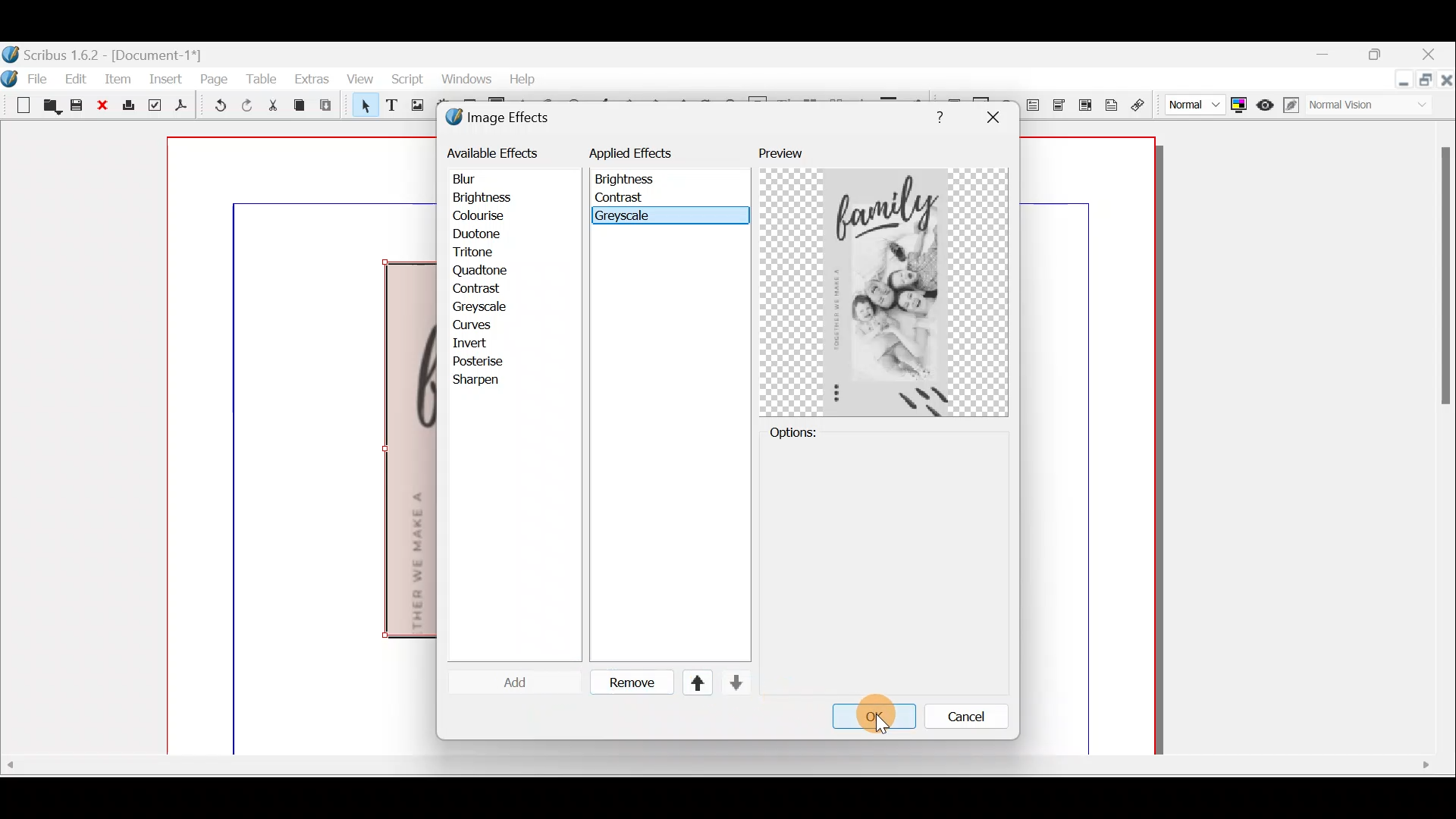  Describe the element at coordinates (329, 105) in the screenshot. I see `Paste` at that location.